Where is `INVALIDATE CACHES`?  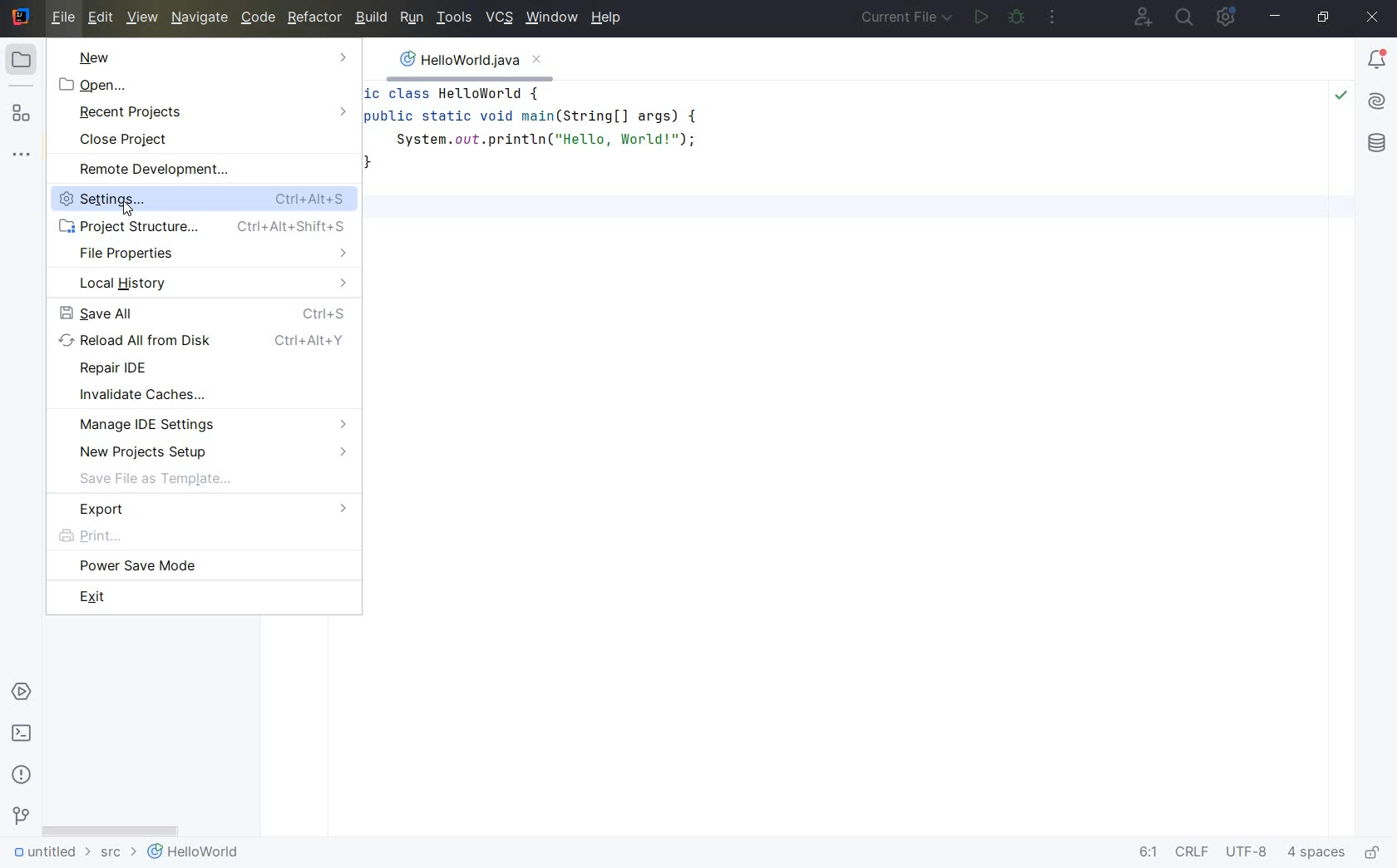 INVALIDATE CACHES is located at coordinates (210, 396).